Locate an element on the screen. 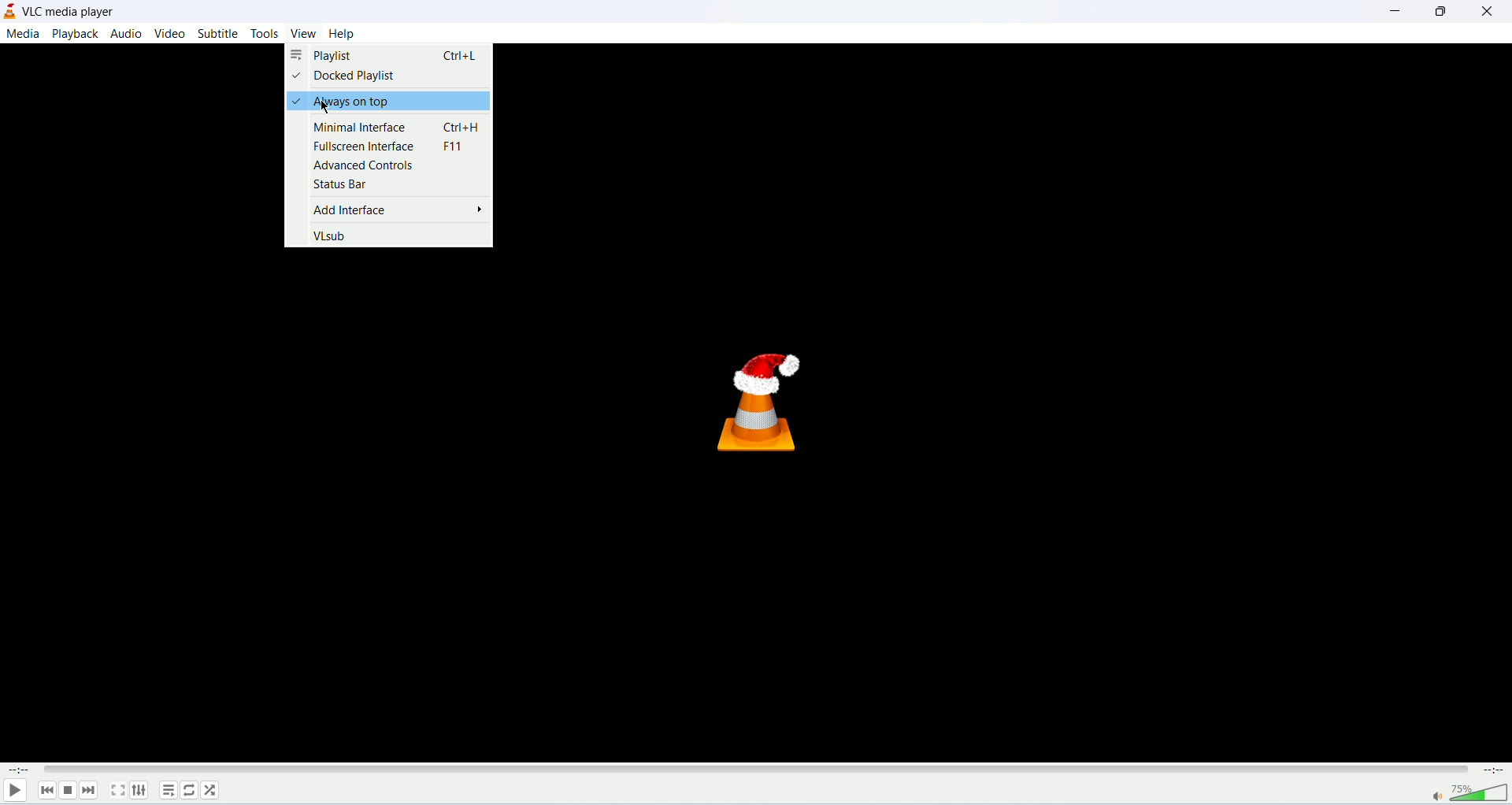  vlc media player logo is located at coordinates (764, 393).